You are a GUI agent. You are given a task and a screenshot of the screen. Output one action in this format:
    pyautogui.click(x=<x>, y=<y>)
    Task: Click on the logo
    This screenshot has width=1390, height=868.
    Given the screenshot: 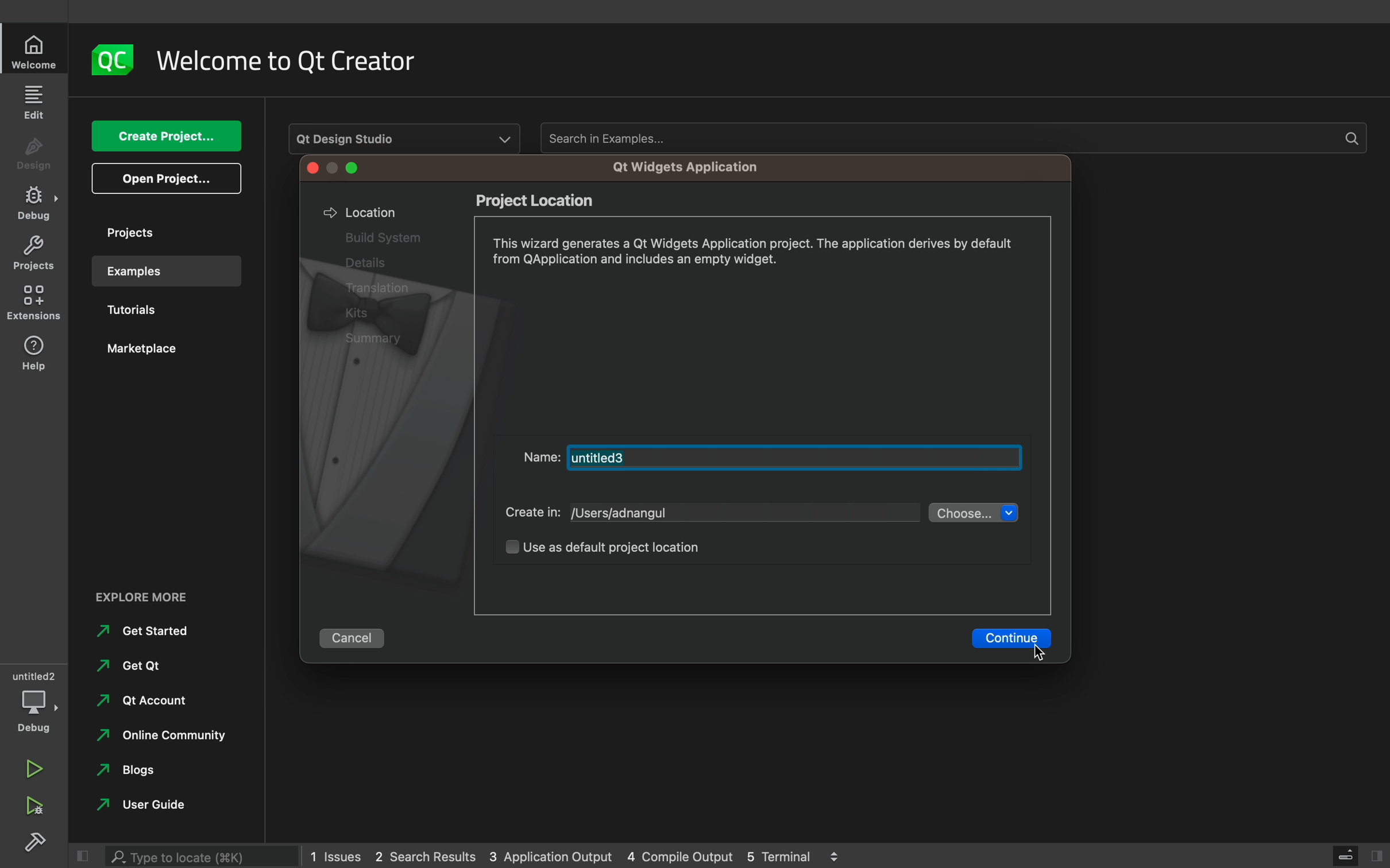 What is the action you would take?
    pyautogui.click(x=115, y=61)
    